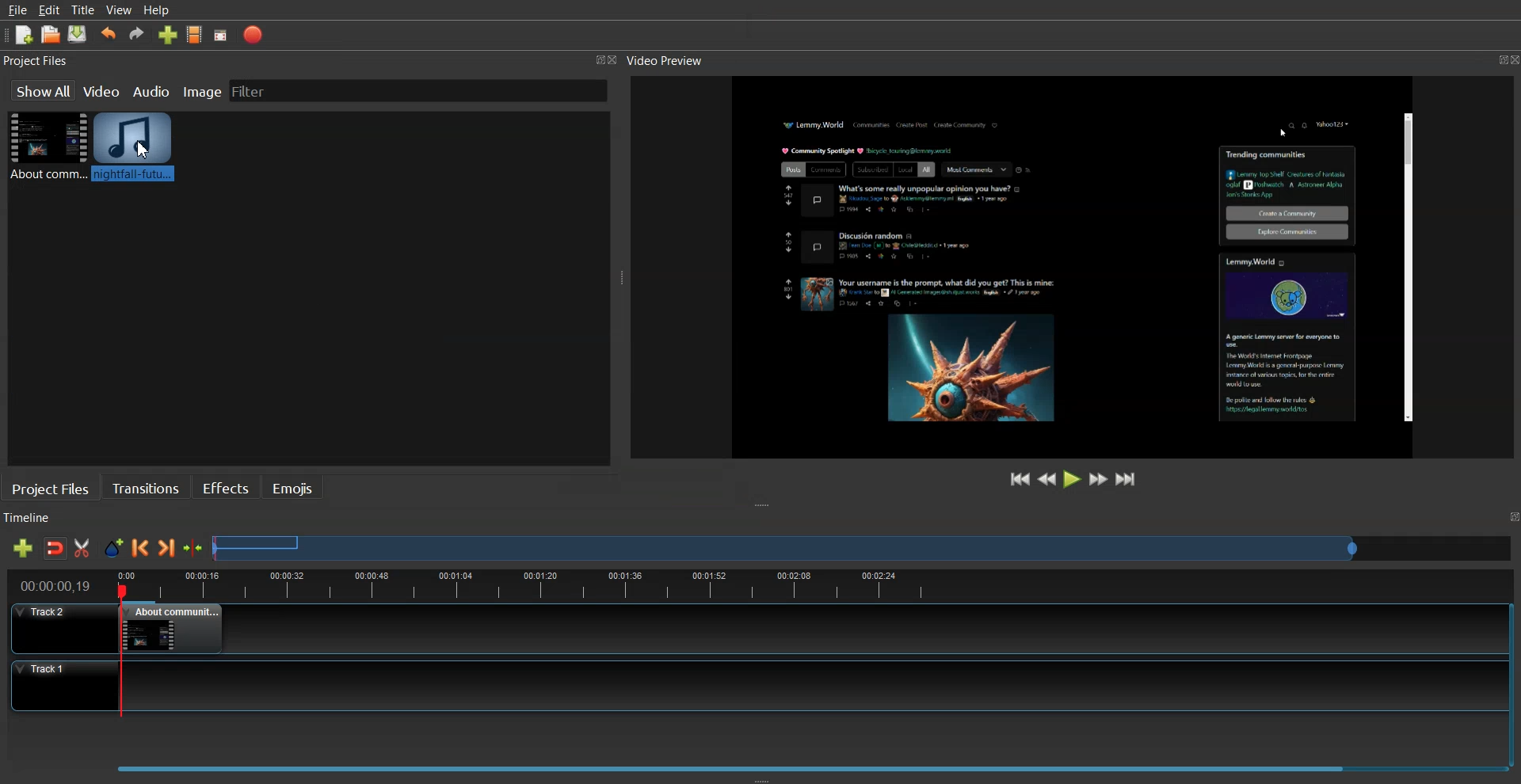 The height and width of the screenshot is (784, 1521). What do you see at coordinates (146, 487) in the screenshot?
I see `Transition` at bounding box center [146, 487].